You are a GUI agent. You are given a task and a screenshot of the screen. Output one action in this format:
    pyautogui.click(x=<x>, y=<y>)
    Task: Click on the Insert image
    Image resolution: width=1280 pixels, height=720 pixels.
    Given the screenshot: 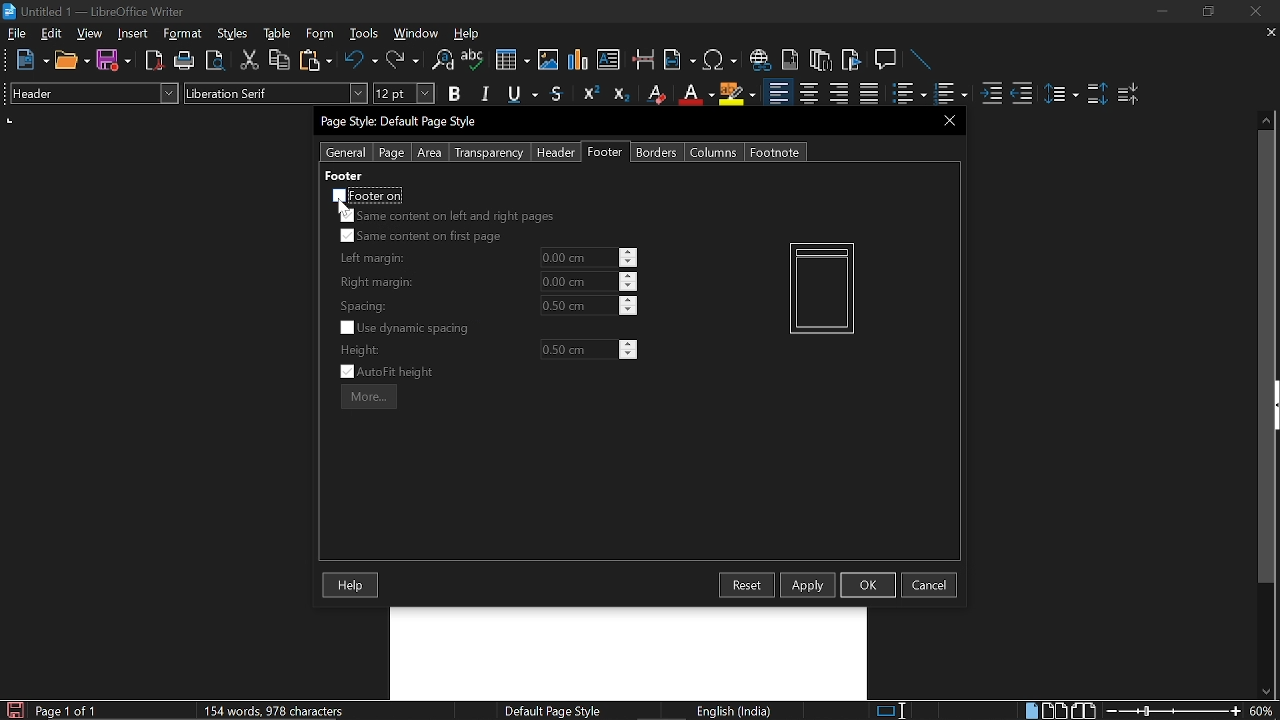 What is the action you would take?
    pyautogui.click(x=550, y=59)
    